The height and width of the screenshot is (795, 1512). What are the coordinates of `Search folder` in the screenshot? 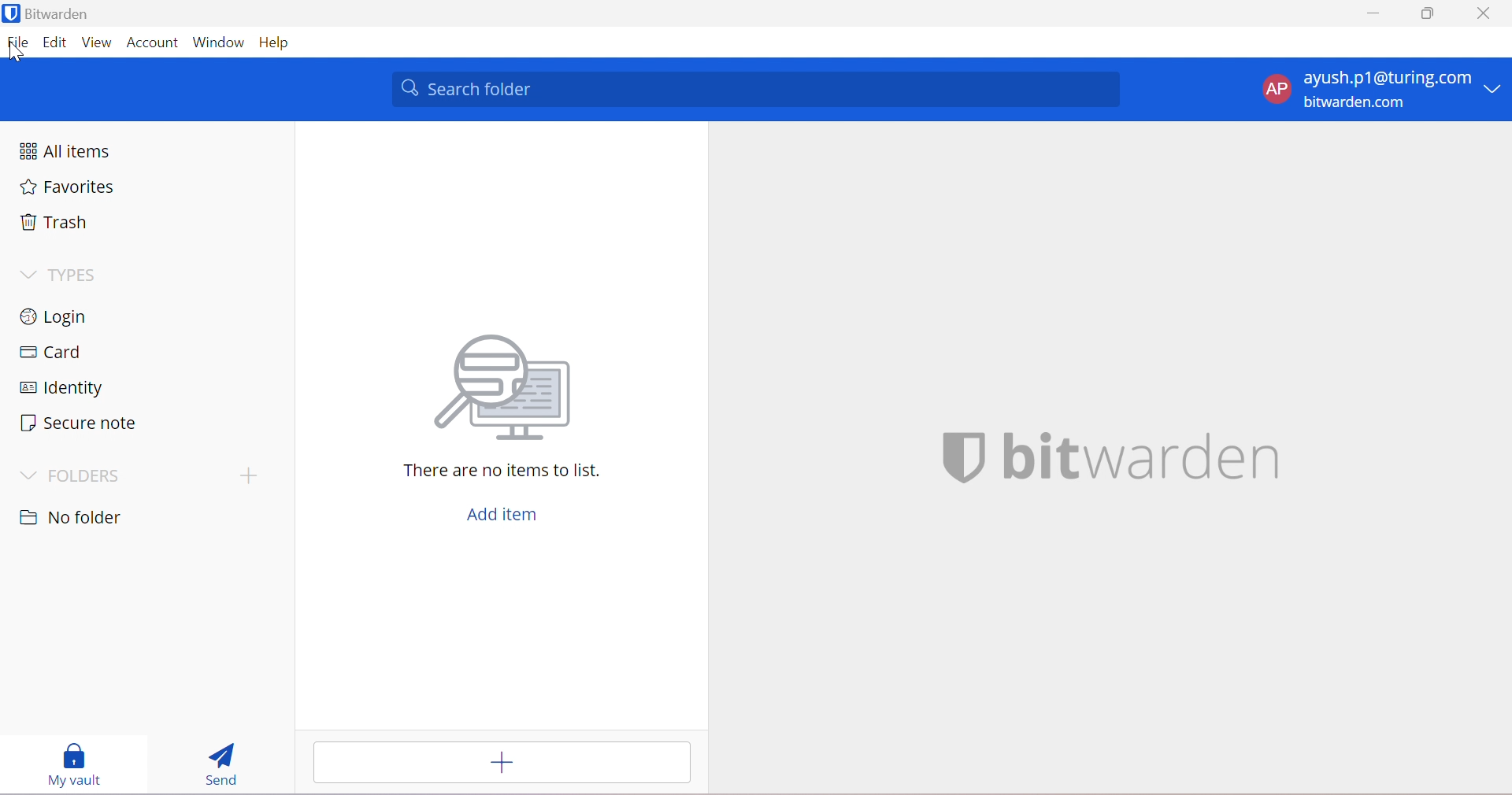 It's located at (758, 89).